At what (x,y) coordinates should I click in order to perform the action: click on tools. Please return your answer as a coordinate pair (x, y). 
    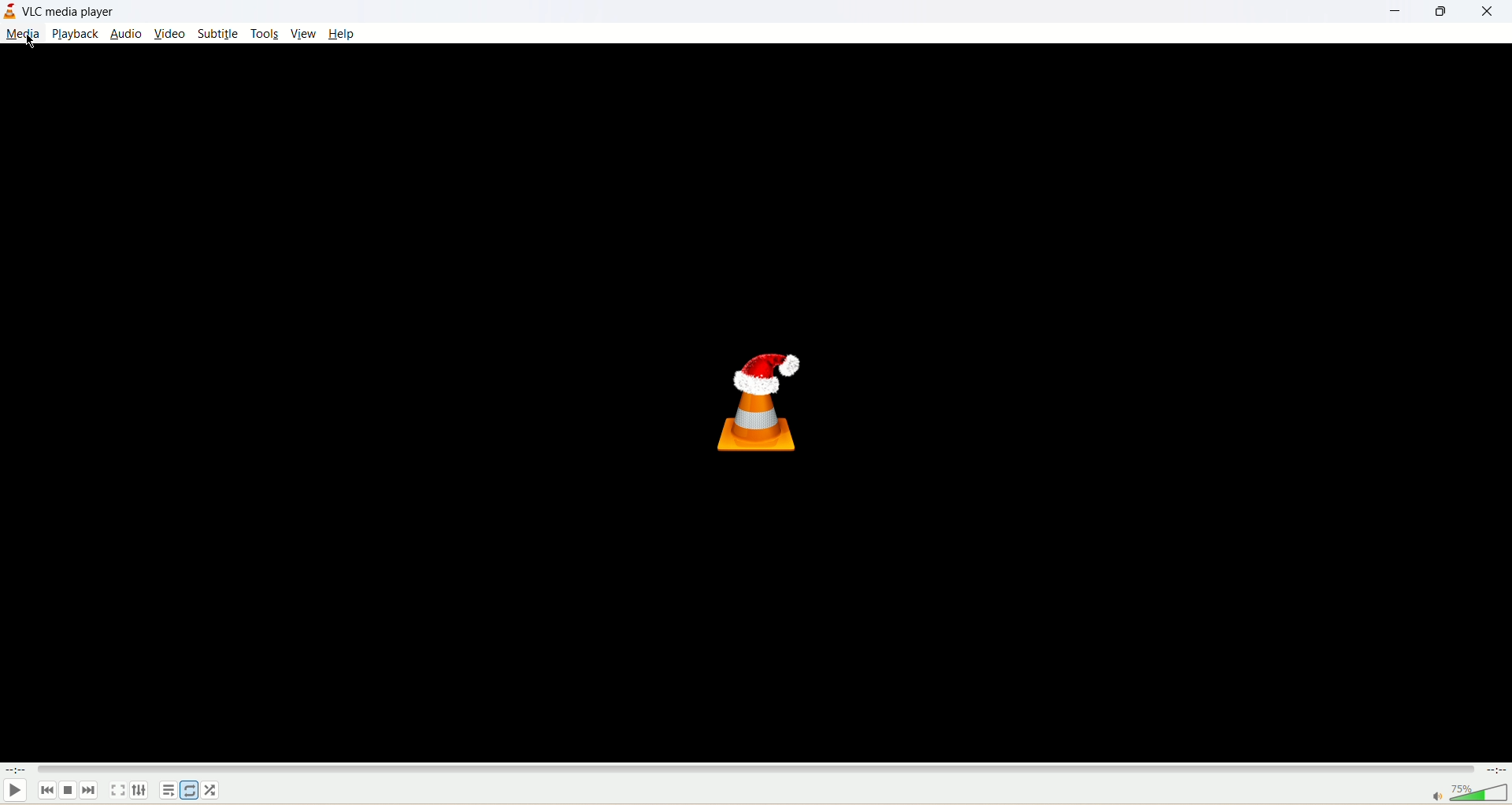
    Looking at the image, I should click on (265, 34).